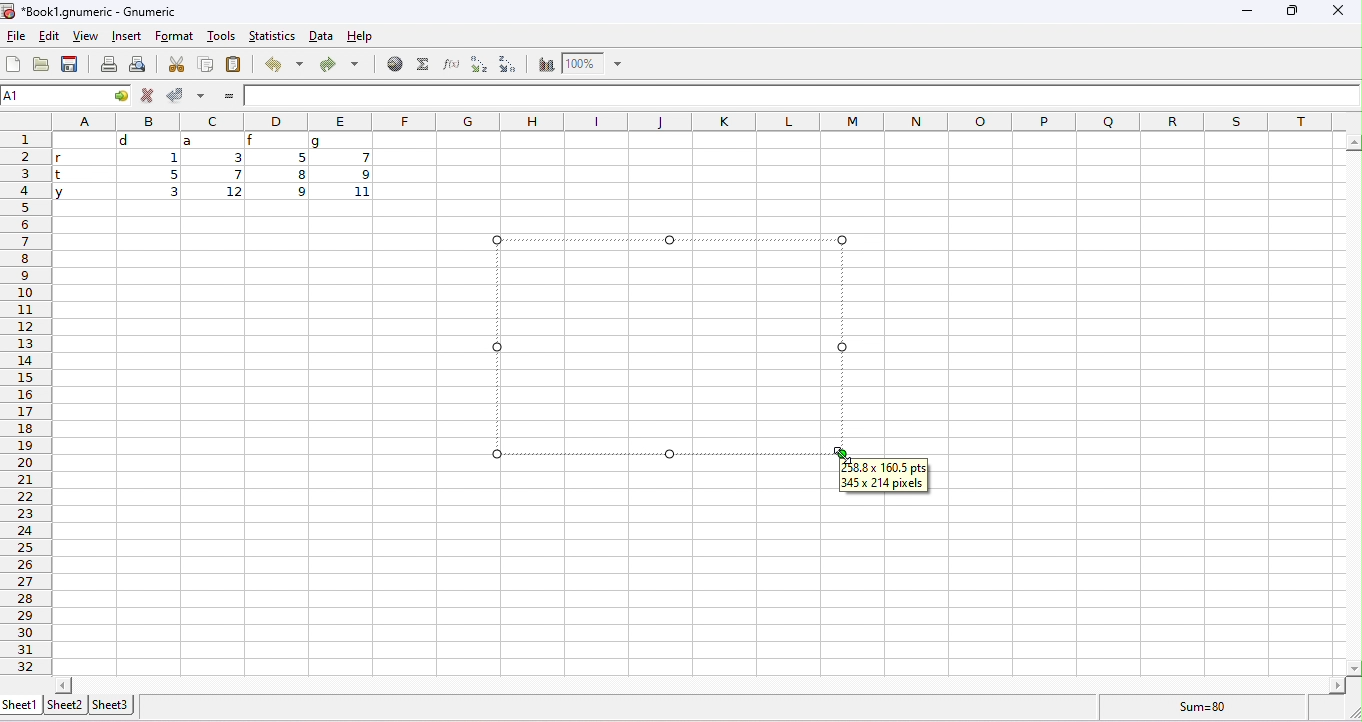  I want to click on chart, so click(543, 64).